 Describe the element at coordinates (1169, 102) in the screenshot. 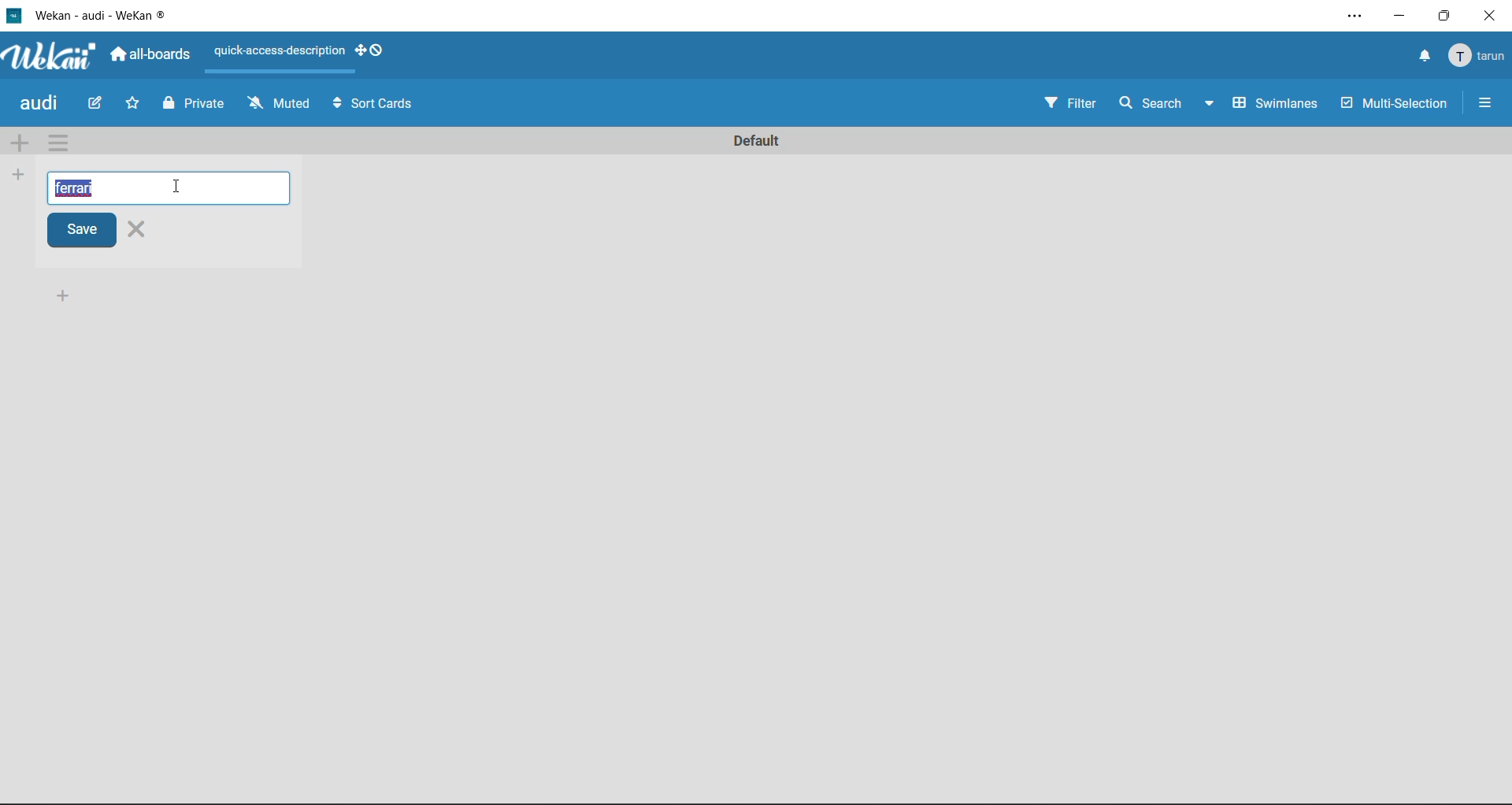

I see `Search` at that location.